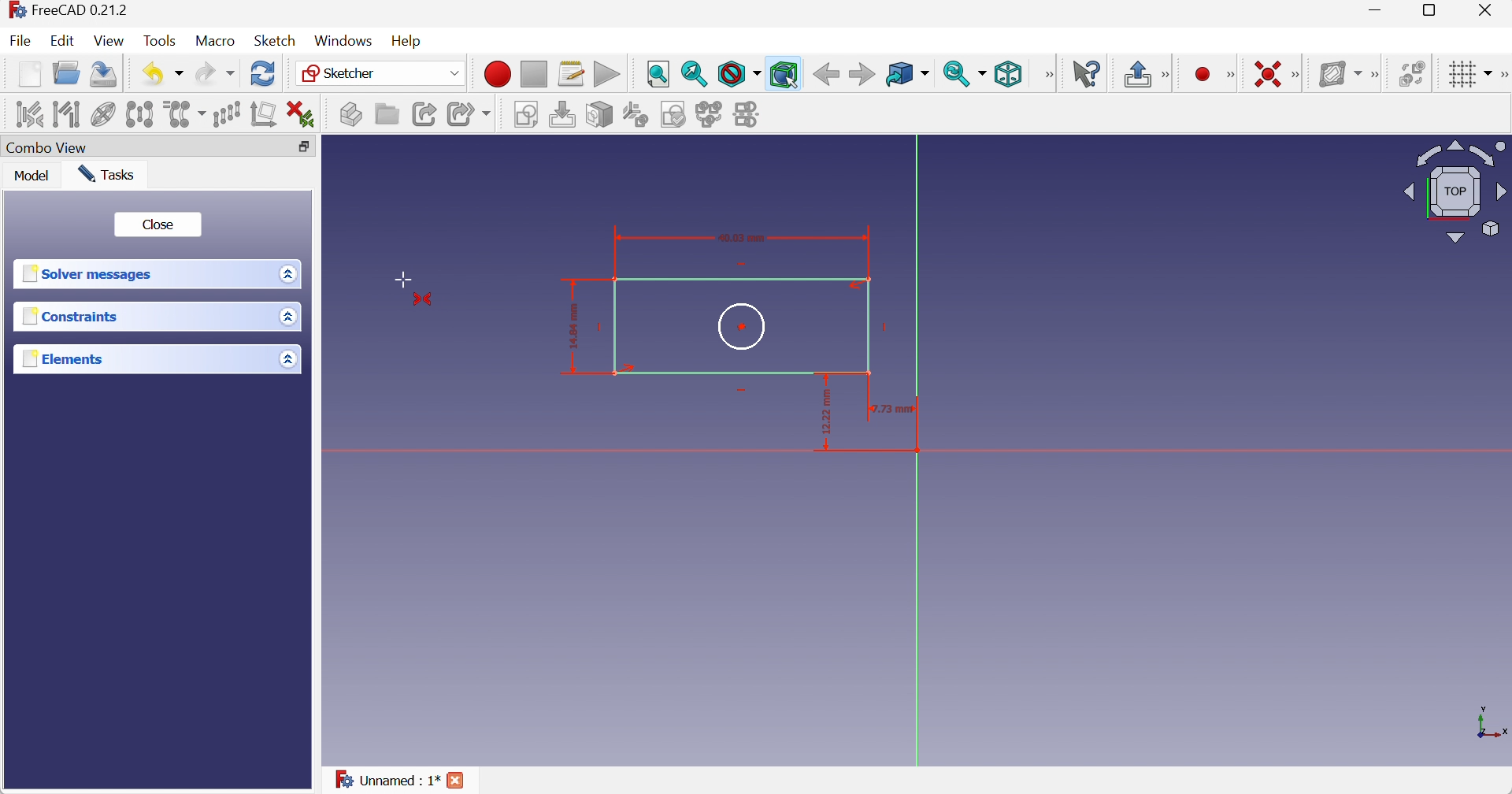 The image size is (1512, 794). I want to click on Sketch, so click(275, 40).